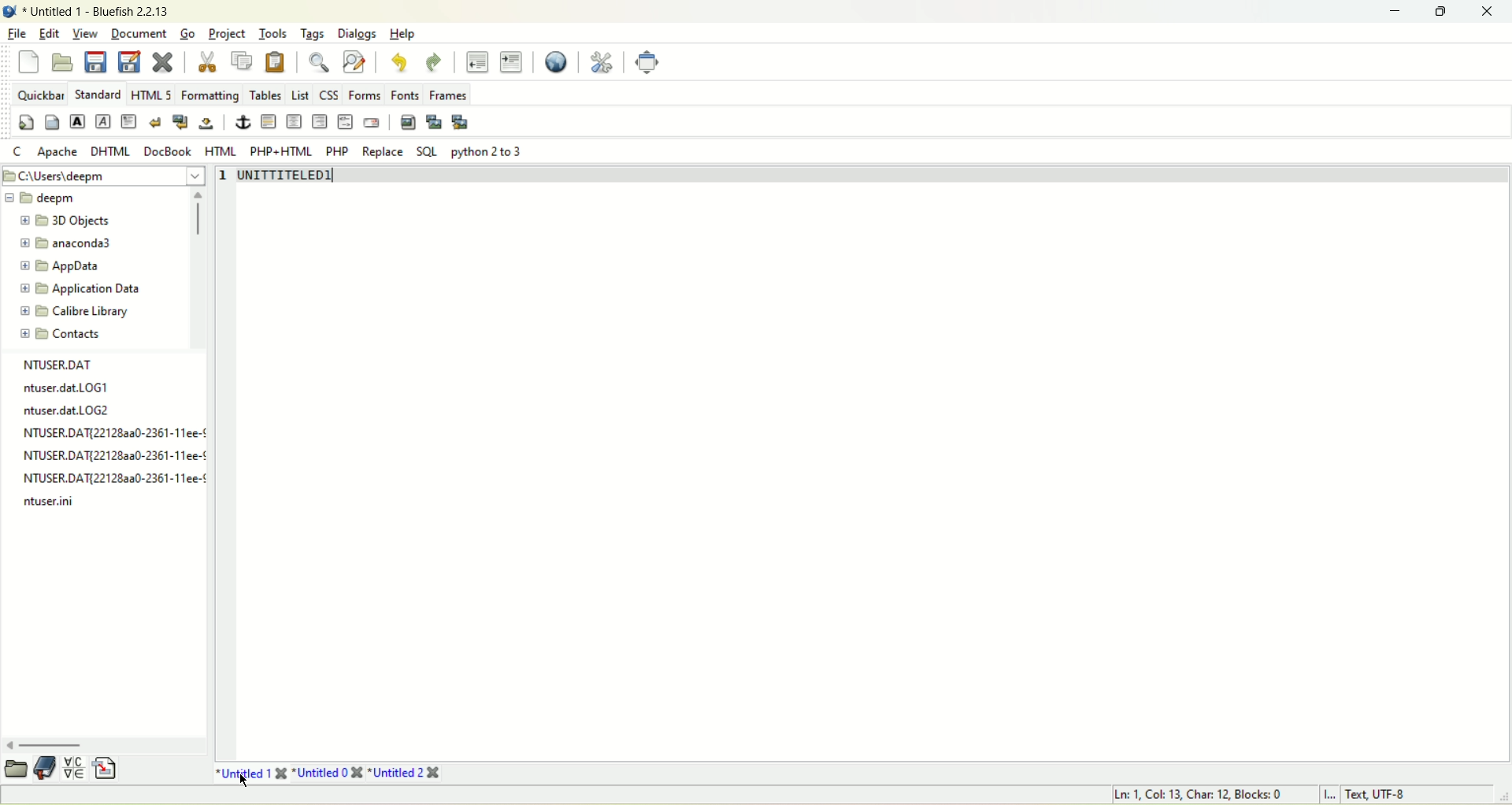  I want to click on contacts, so click(68, 336).